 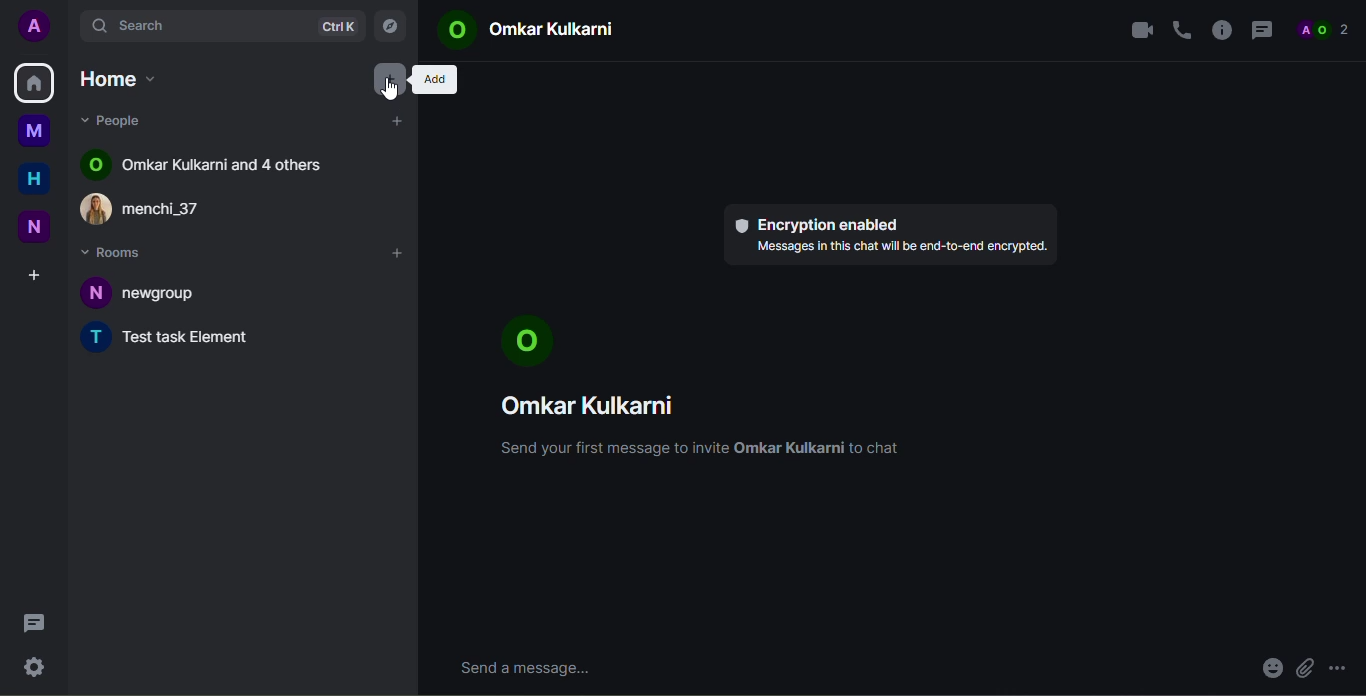 What do you see at coordinates (337, 27) in the screenshot?
I see `ctrlK` at bounding box center [337, 27].